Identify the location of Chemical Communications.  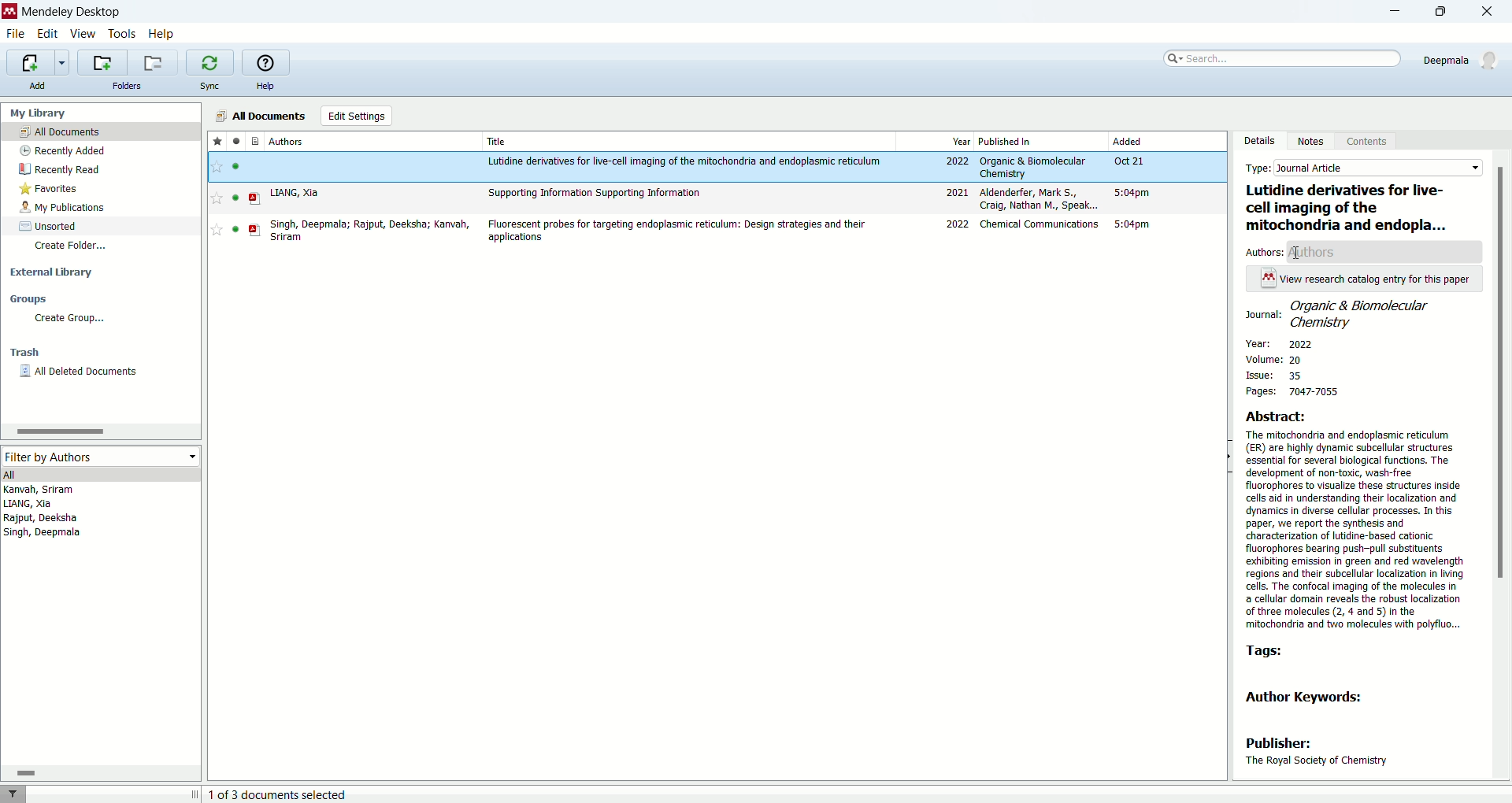
(1040, 224).